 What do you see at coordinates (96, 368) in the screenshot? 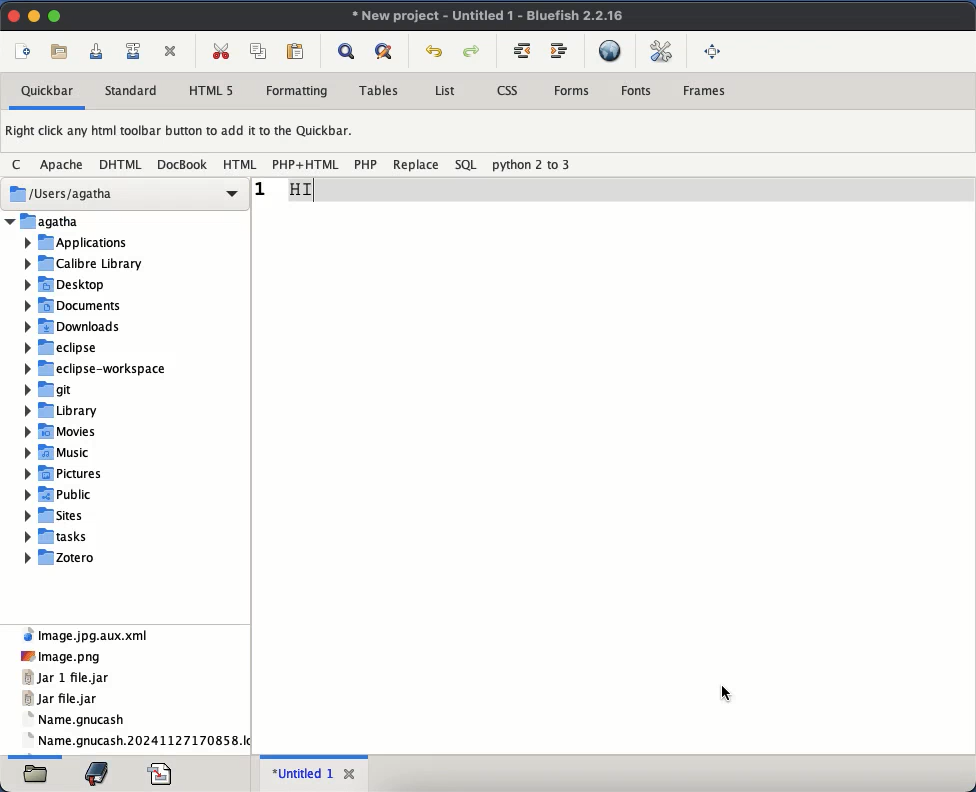
I see `eclipse-workspace` at bounding box center [96, 368].